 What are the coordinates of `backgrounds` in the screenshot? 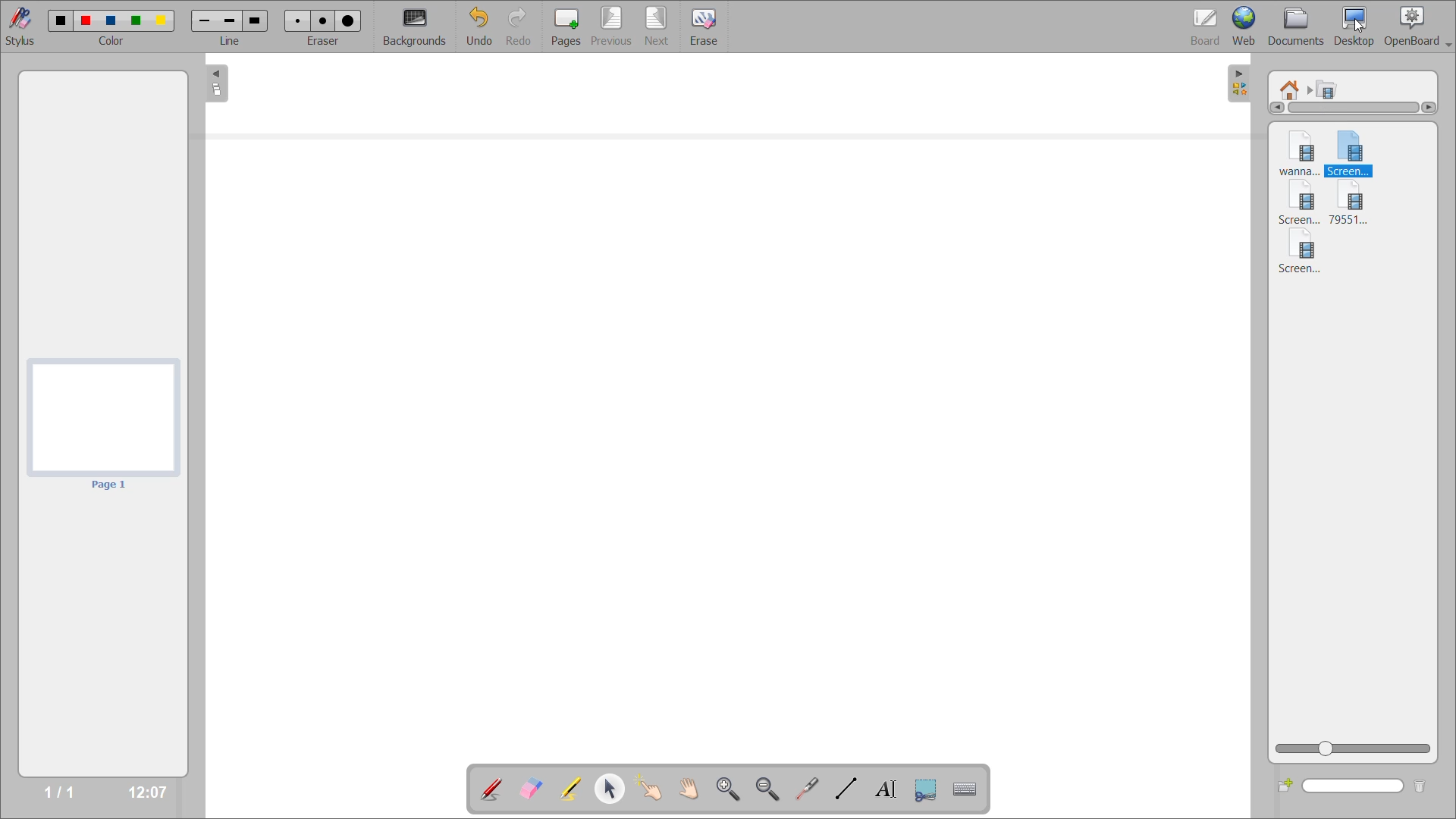 It's located at (417, 26).